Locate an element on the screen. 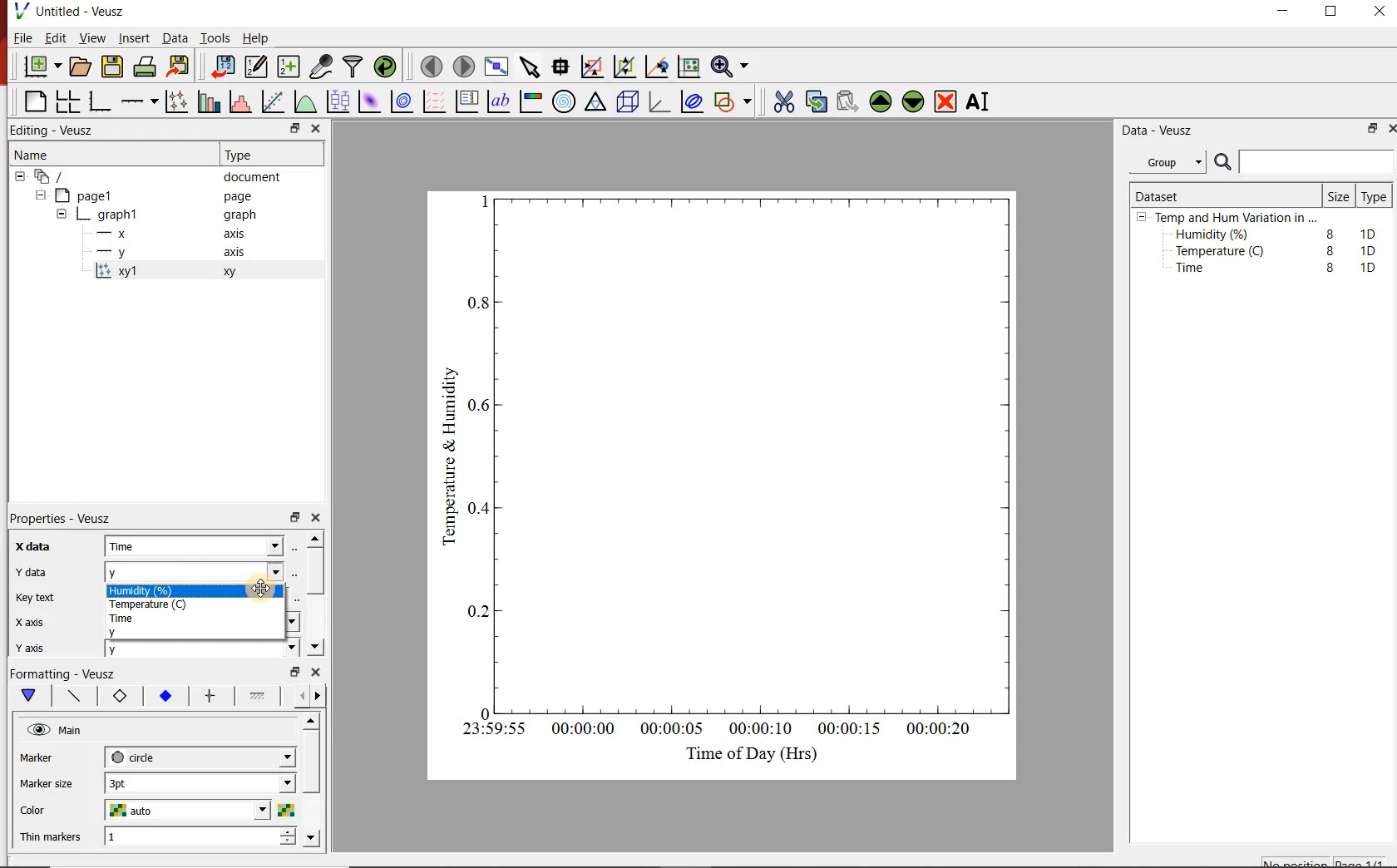 The width and height of the screenshot is (1397, 868). histogram of a dataset is located at coordinates (243, 101).